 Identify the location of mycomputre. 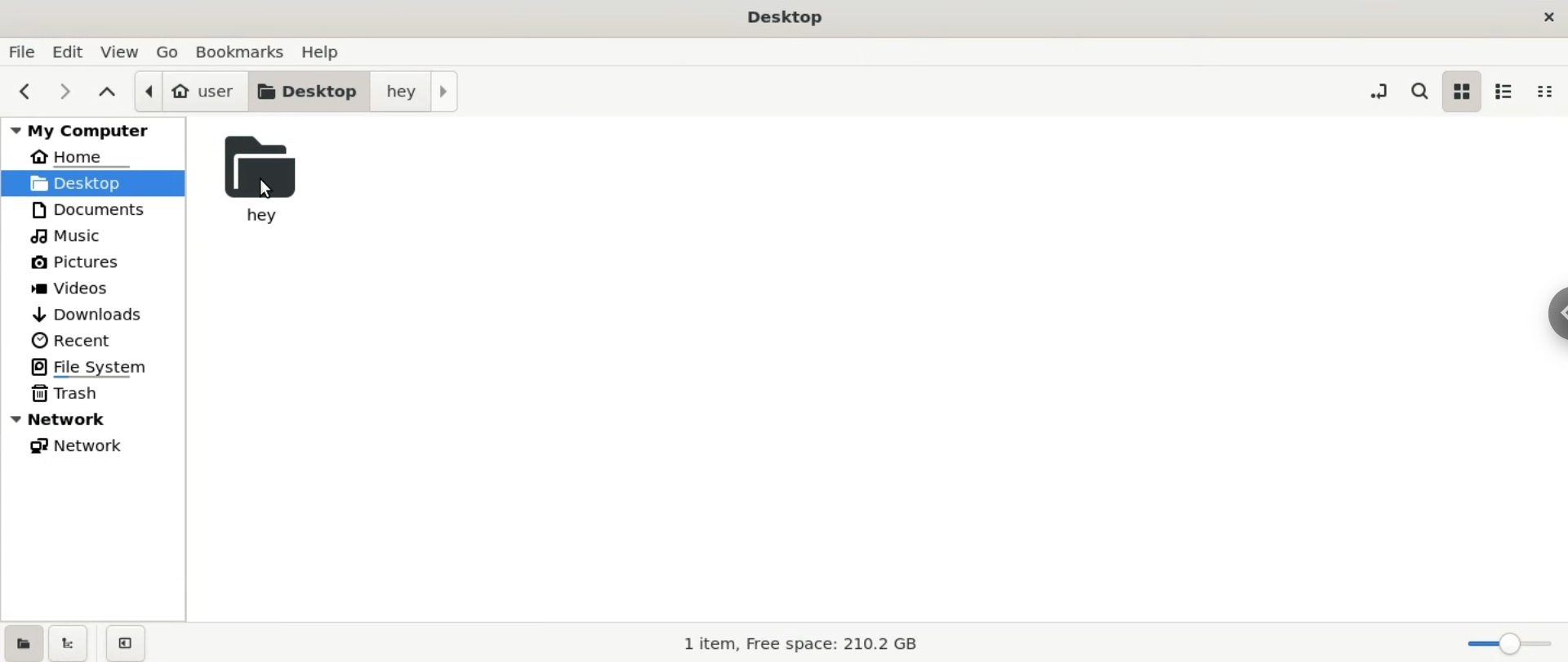
(95, 128).